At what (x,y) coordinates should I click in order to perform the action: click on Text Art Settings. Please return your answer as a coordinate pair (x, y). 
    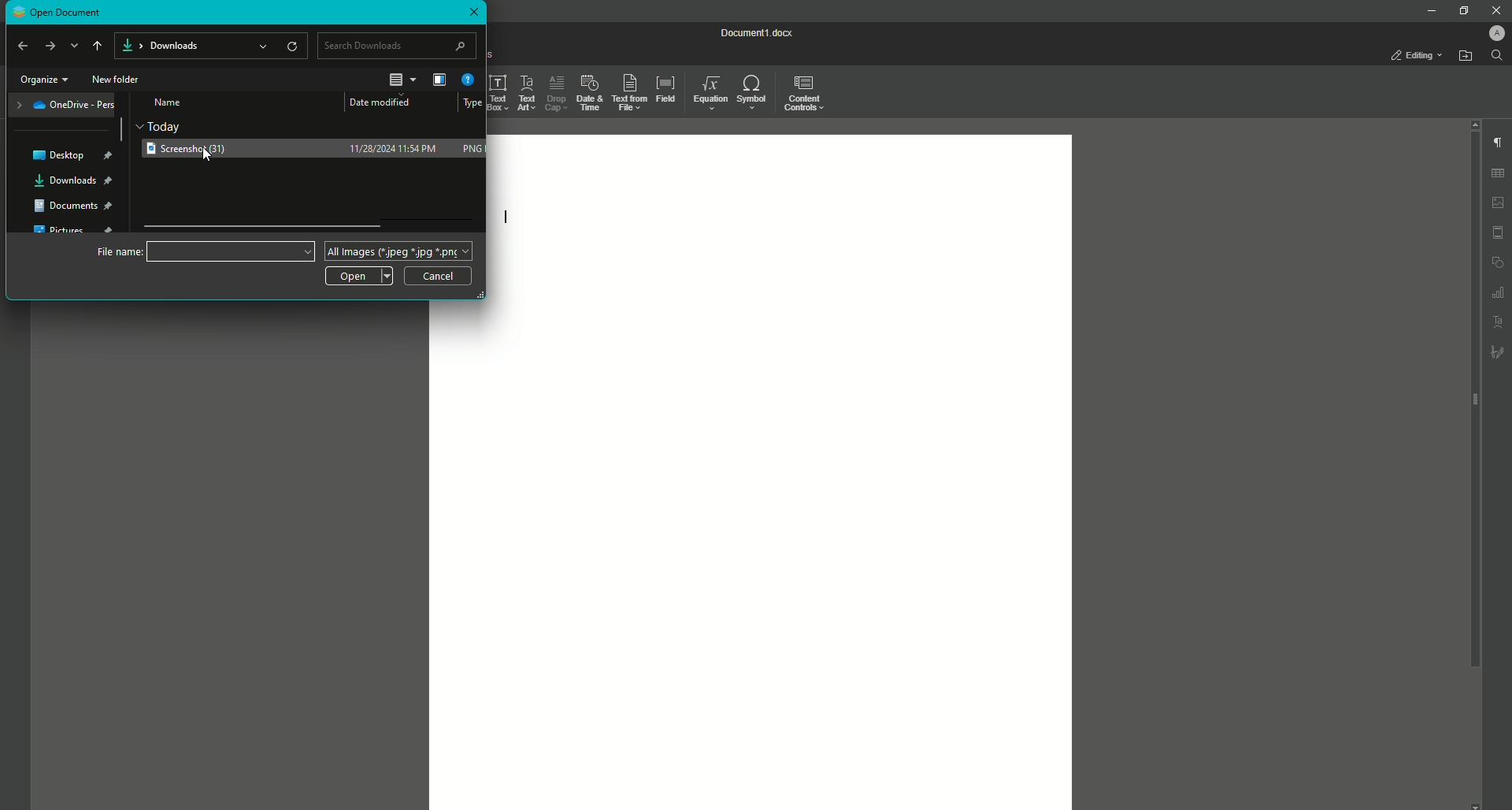
    Looking at the image, I should click on (1499, 323).